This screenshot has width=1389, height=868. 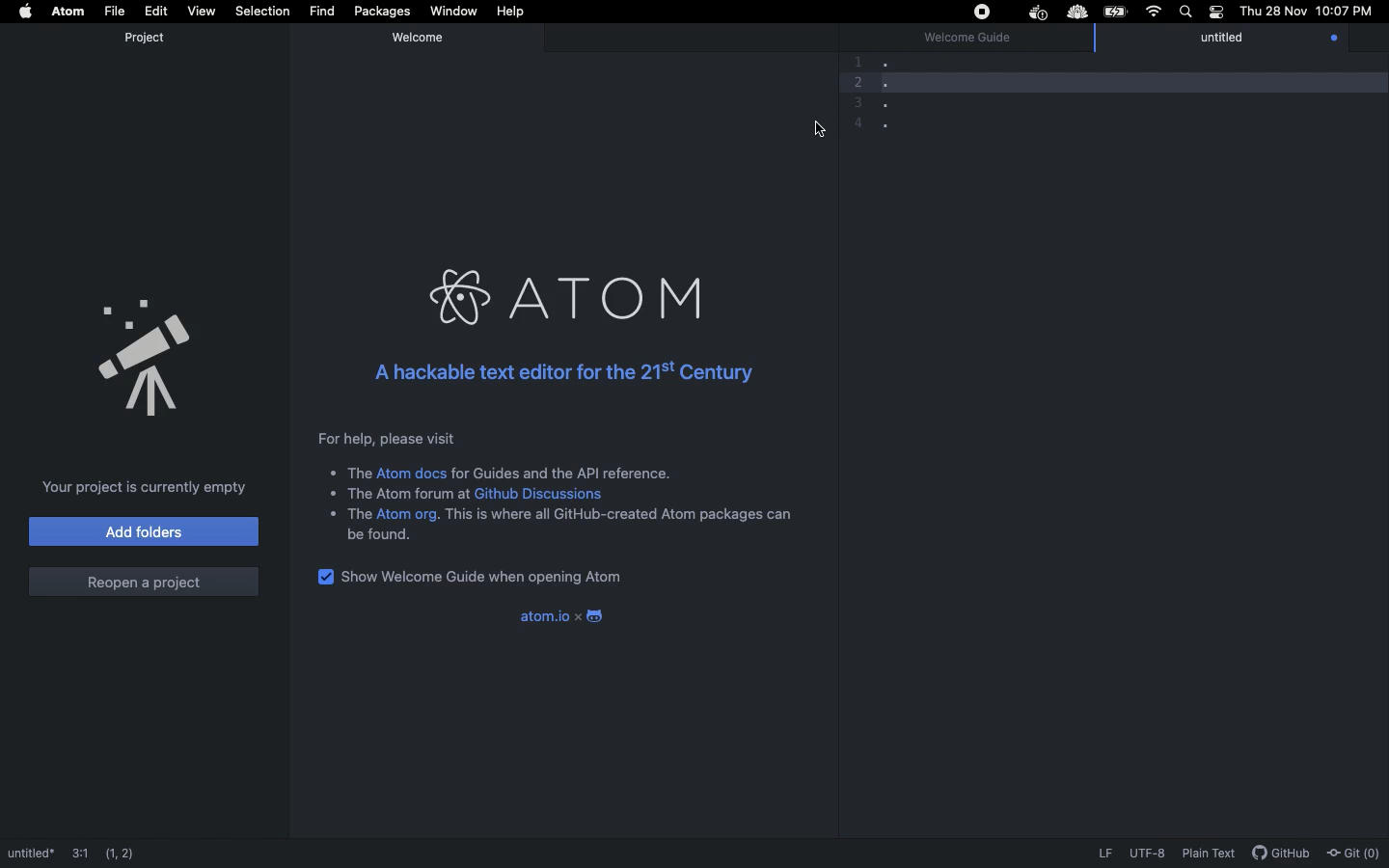 I want to click on announcement, so click(x=147, y=352).